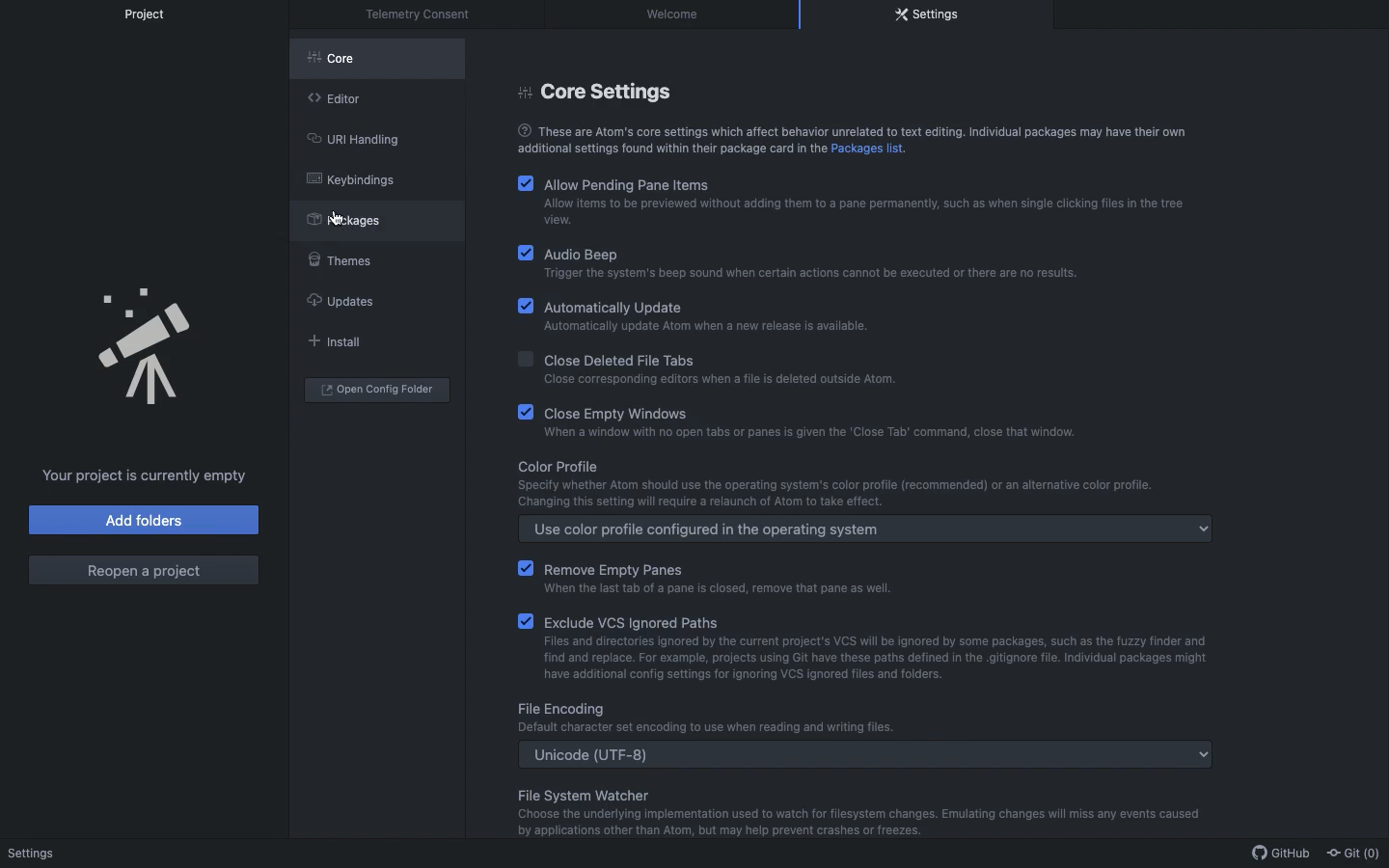 This screenshot has height=868, width=1389. What do you see at coordinates (354, 219) in the screenshot?
I see `Packages` at bounding box center [354, 219].